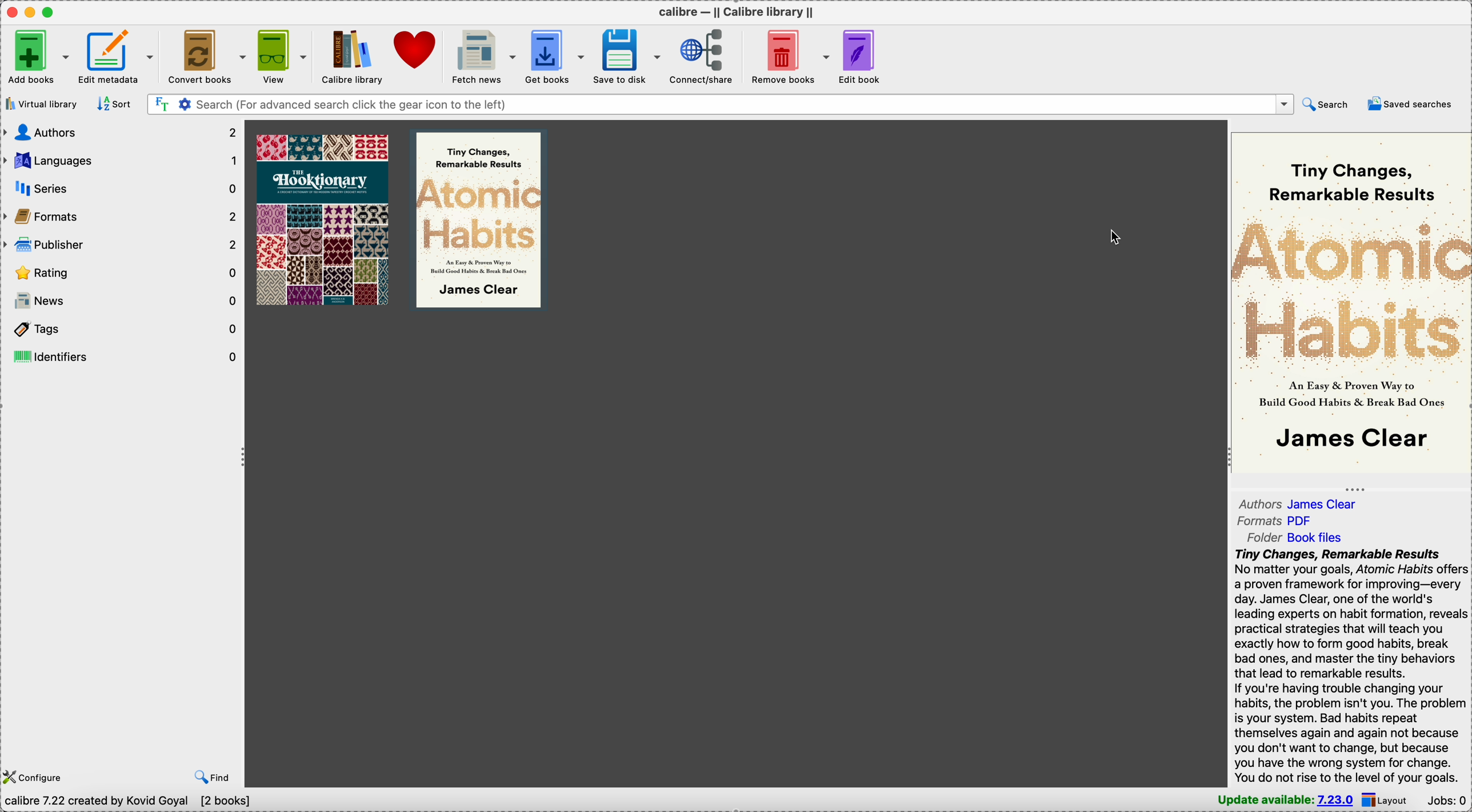  What do you see at coordinates (114, 104) in the screenshot?
I see `Sort` at bounding box center [114, 104].